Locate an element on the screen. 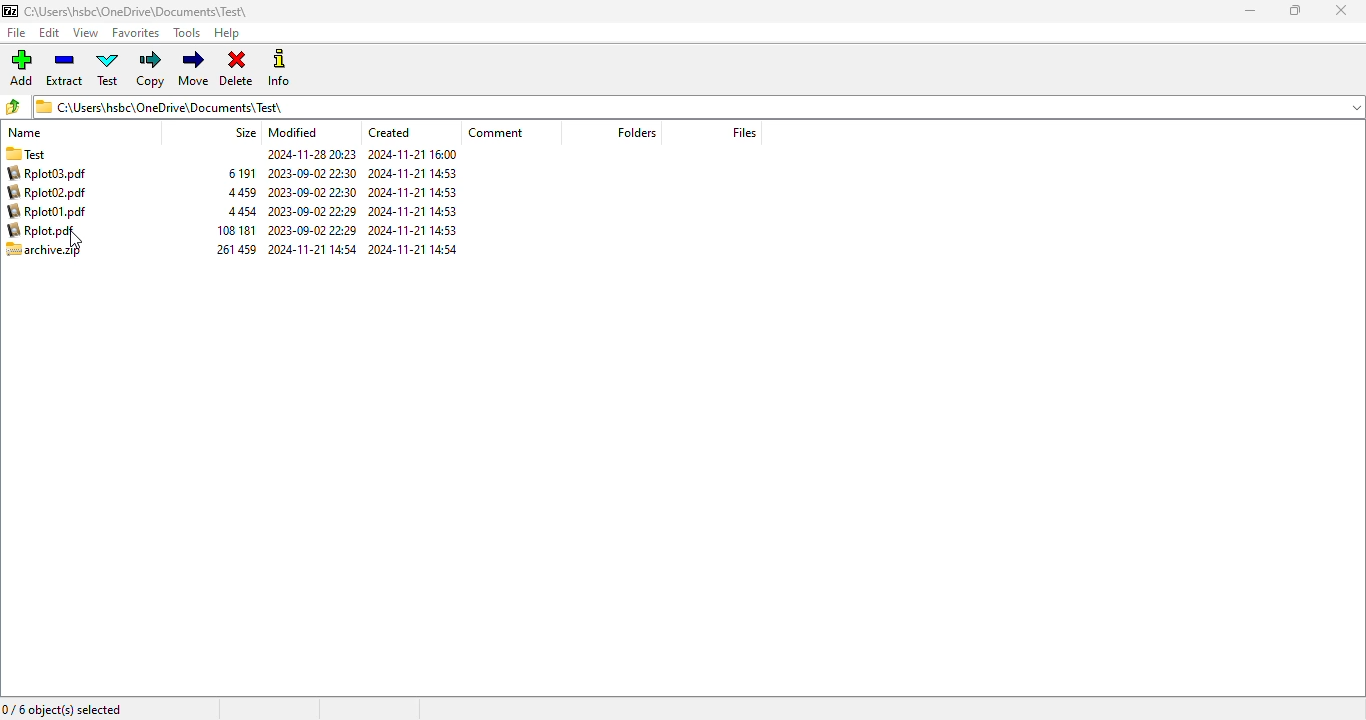 The width and height of the screenshot is (1366, 720). pdf files is located at coordinates (50, 202).